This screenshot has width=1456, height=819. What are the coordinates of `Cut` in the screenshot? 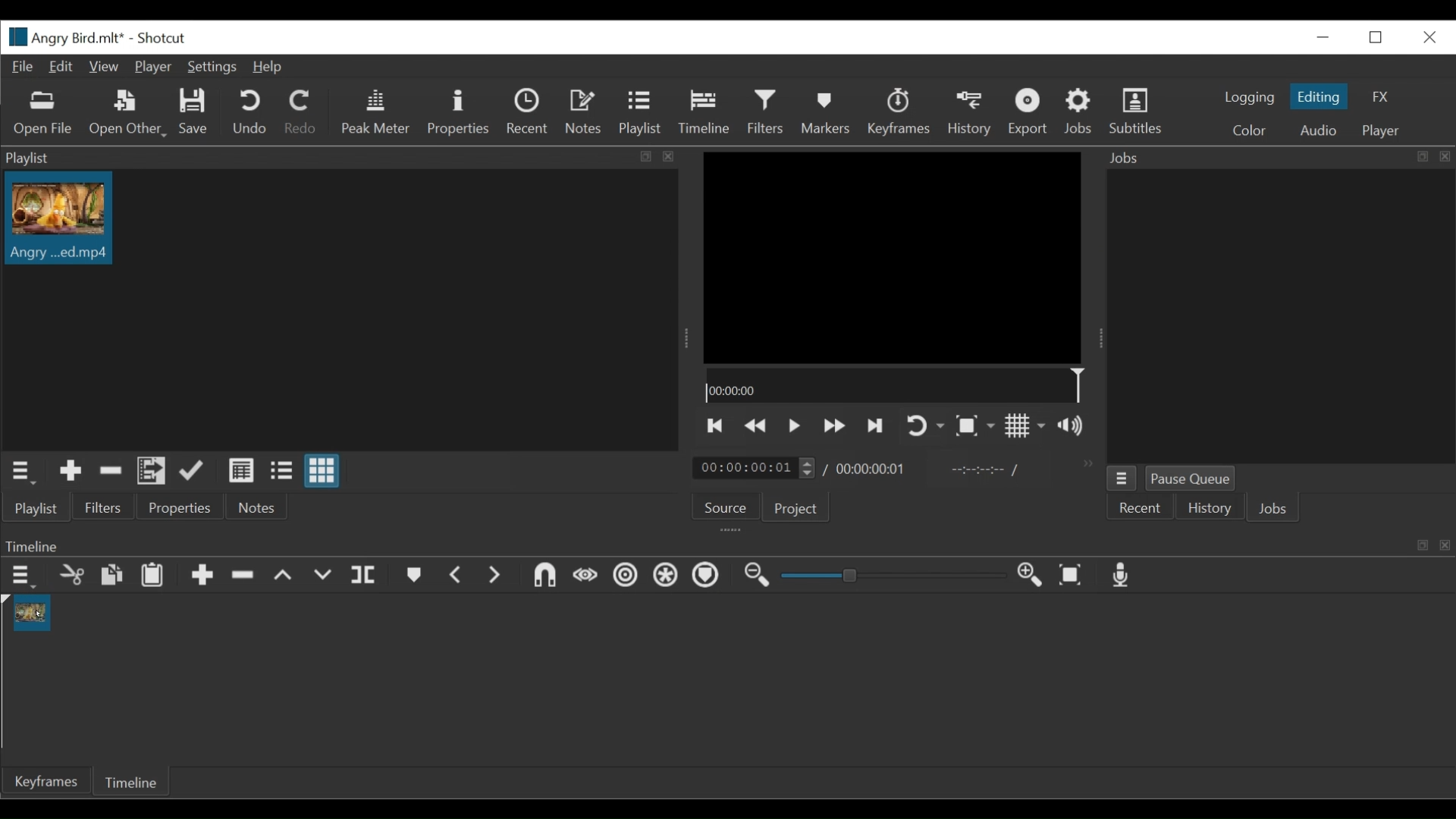 It's located at (71, 576).